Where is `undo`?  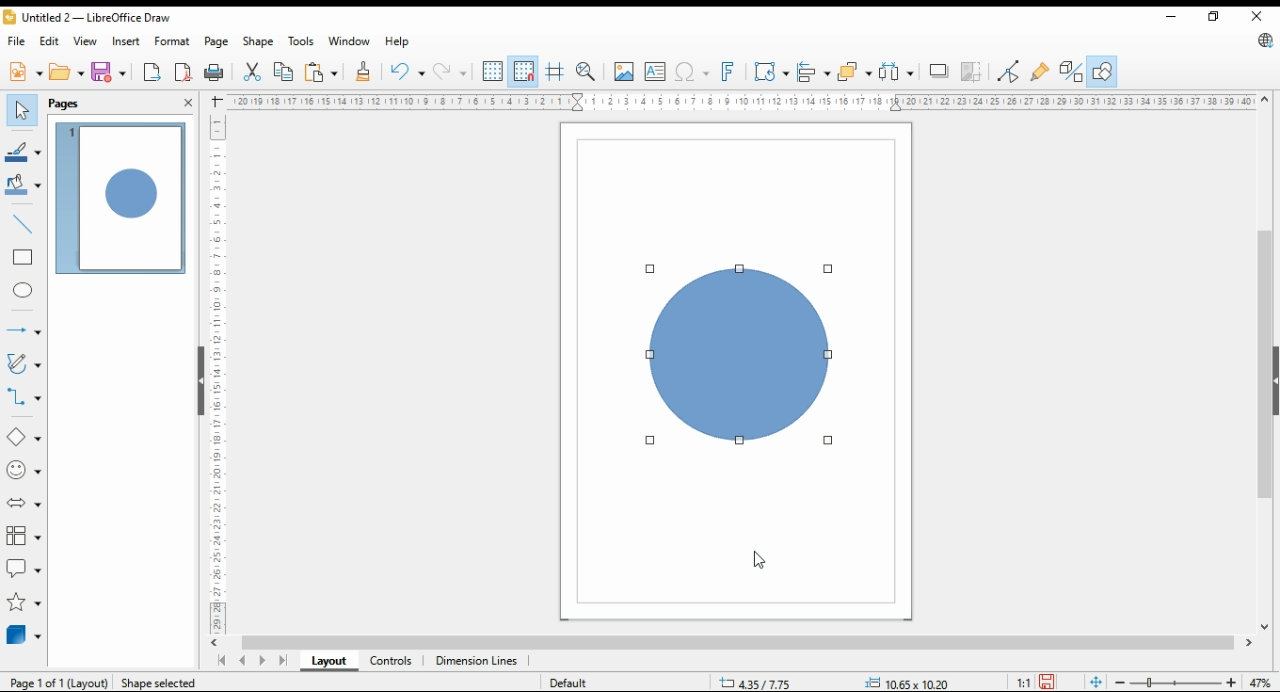
undo is located at coordinates (407, 72).